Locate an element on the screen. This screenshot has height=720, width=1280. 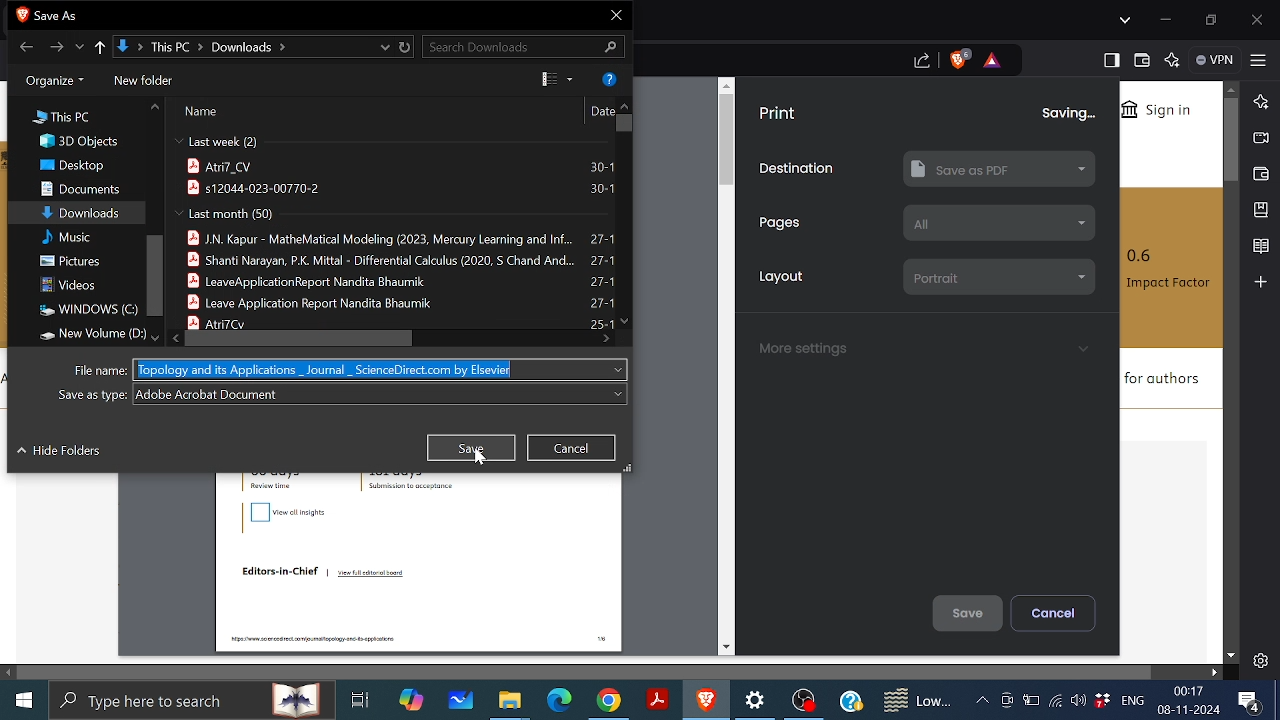
Move up is located at coordinates (1233, 89).